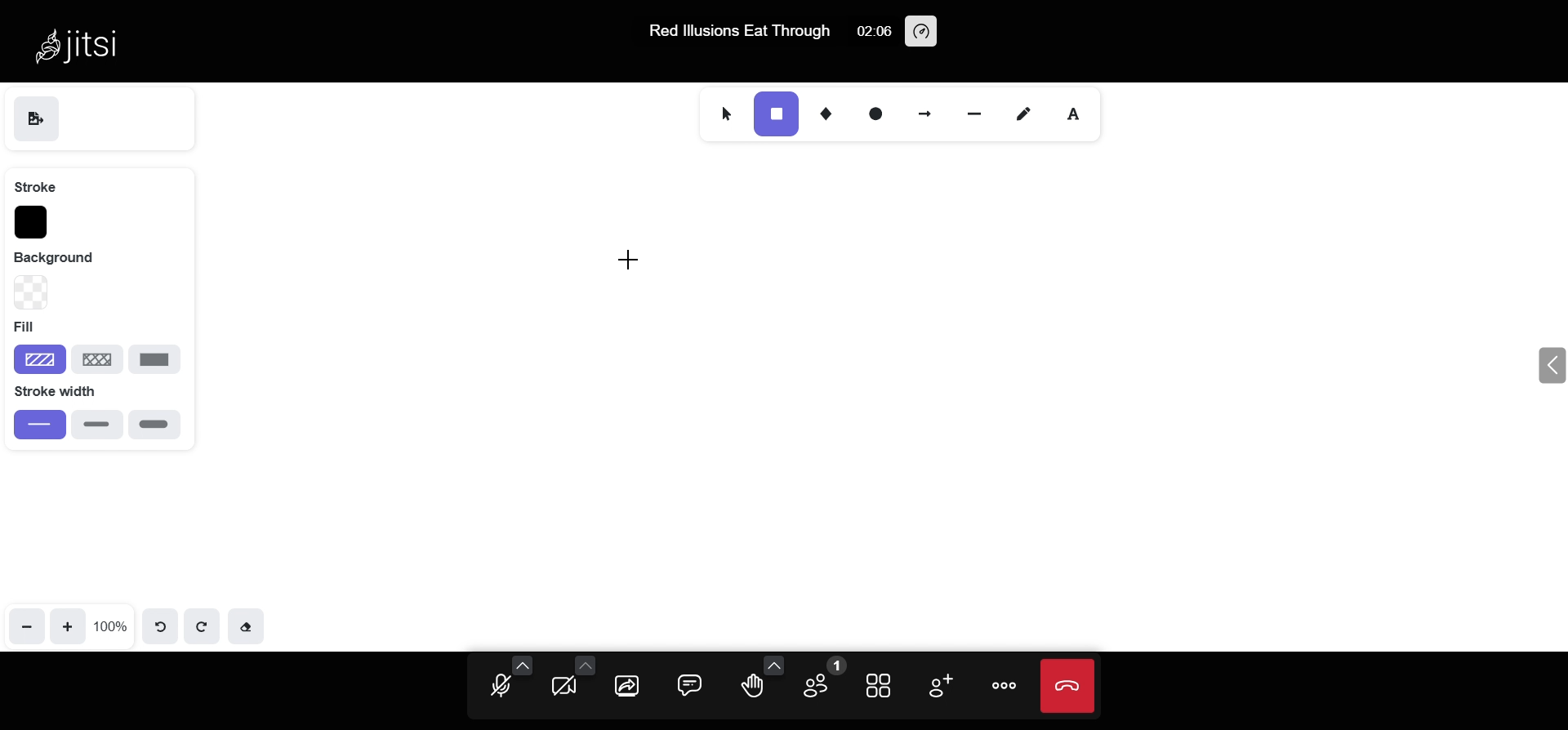 The image size is (1568, 730). What do you see at coordinates (584, 664) in the screenshot?
I see `more camera options` at bounding box center [584, 664].